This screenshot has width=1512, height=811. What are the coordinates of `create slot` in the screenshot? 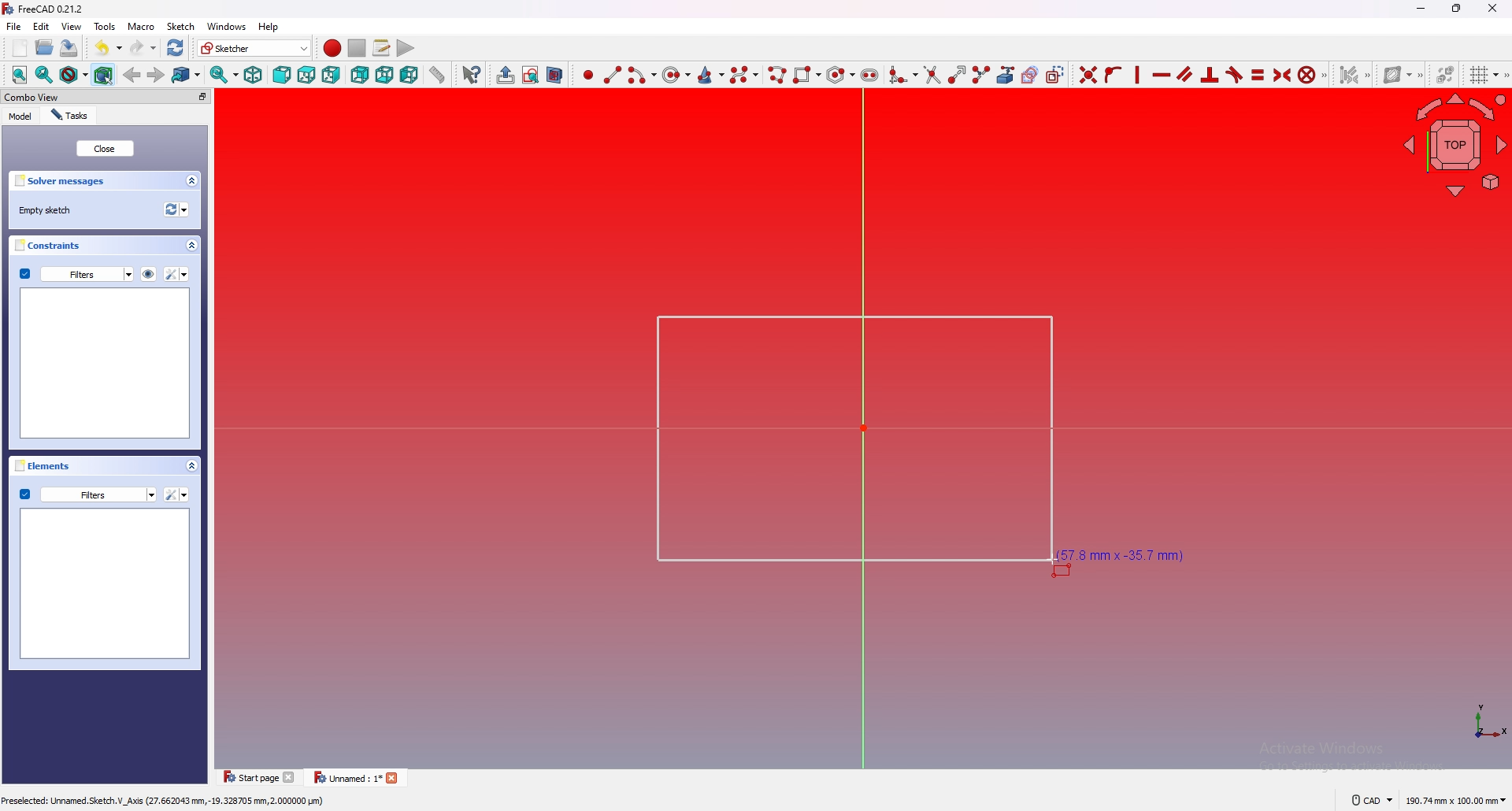 It's located at (869, 76).